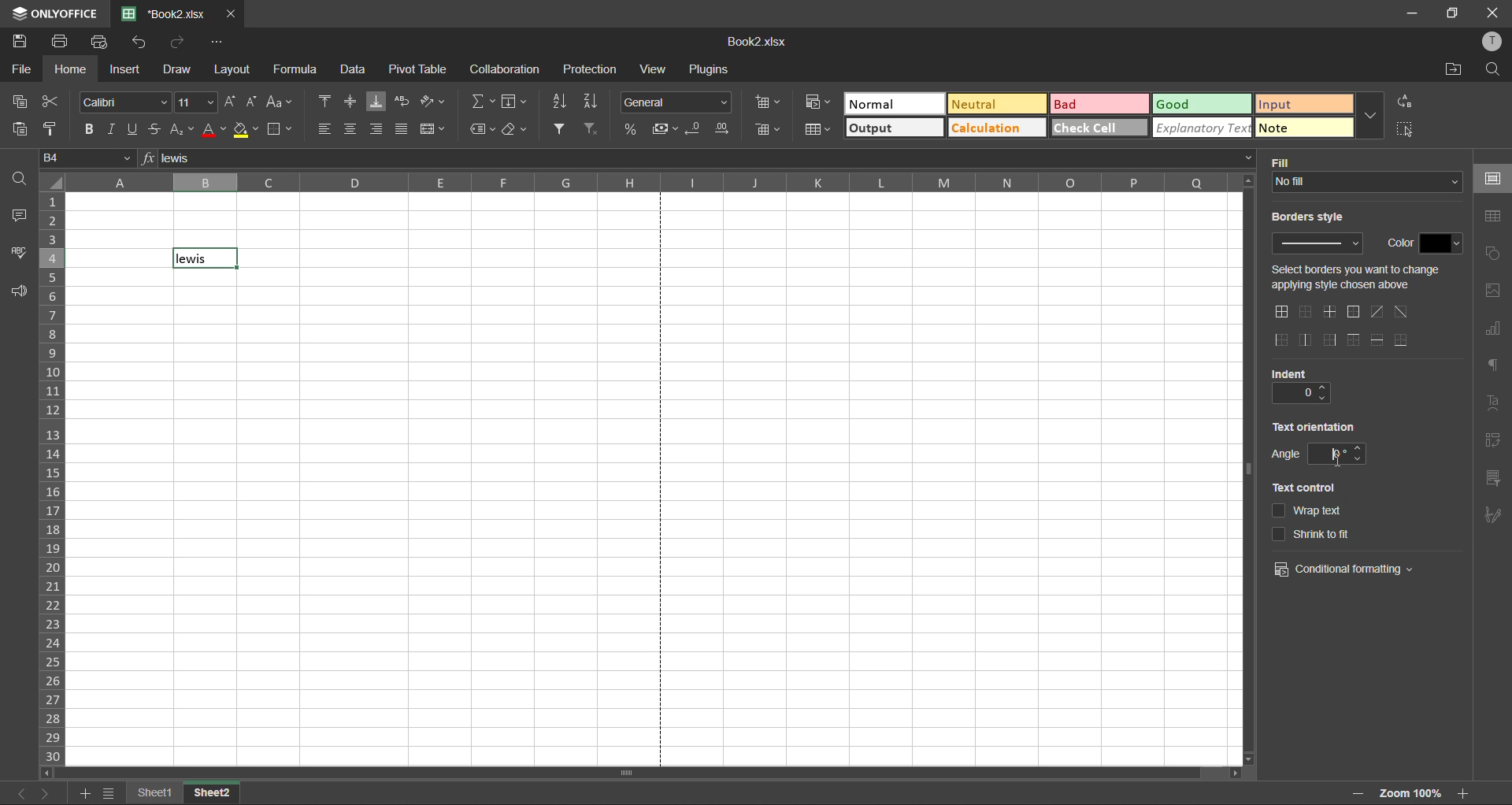  What do you see at coordinates (1201, 103) in the screenshot?
I see `good` at bounding box center [1201, 103].